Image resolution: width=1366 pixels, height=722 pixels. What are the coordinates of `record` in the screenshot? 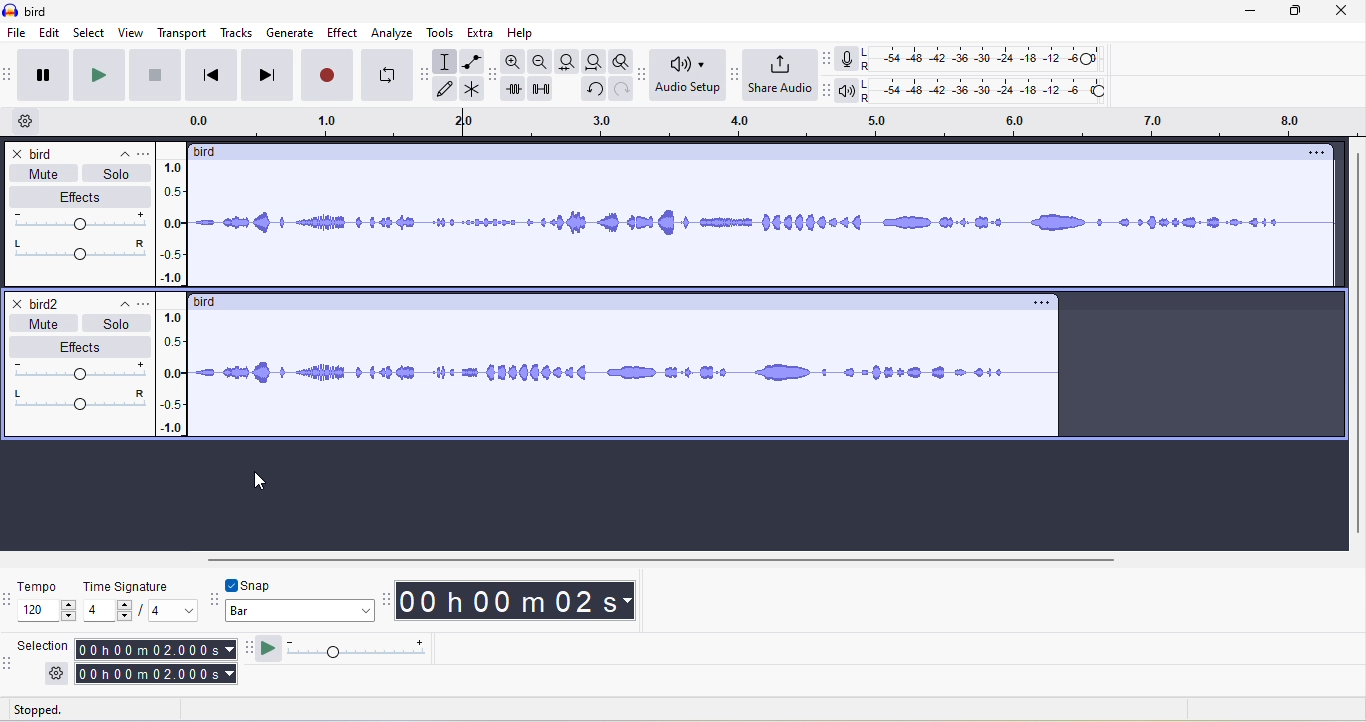 It's located at (329, 74).